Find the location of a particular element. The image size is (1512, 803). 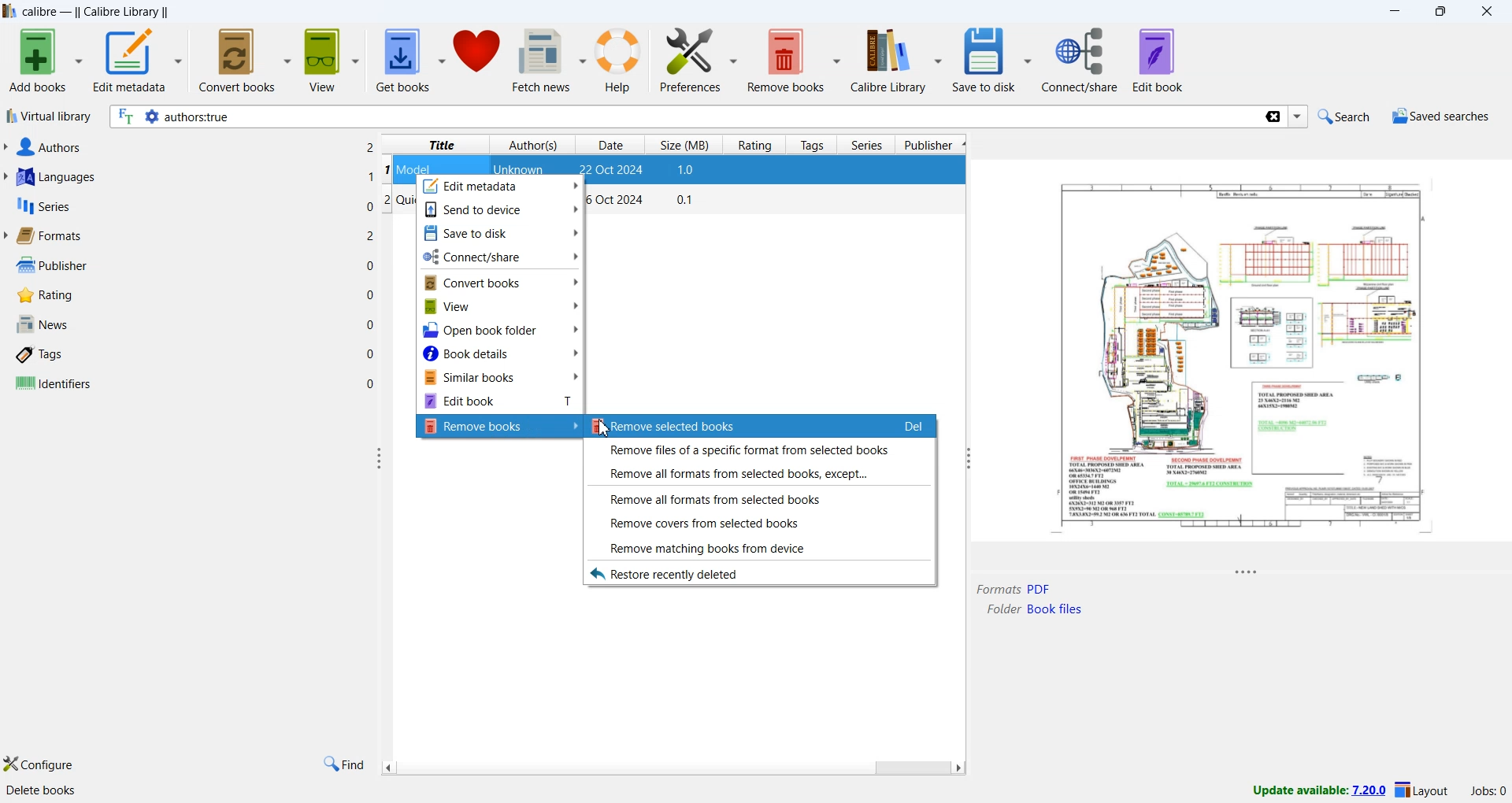

Convert books is located at coordinates (502, 282).